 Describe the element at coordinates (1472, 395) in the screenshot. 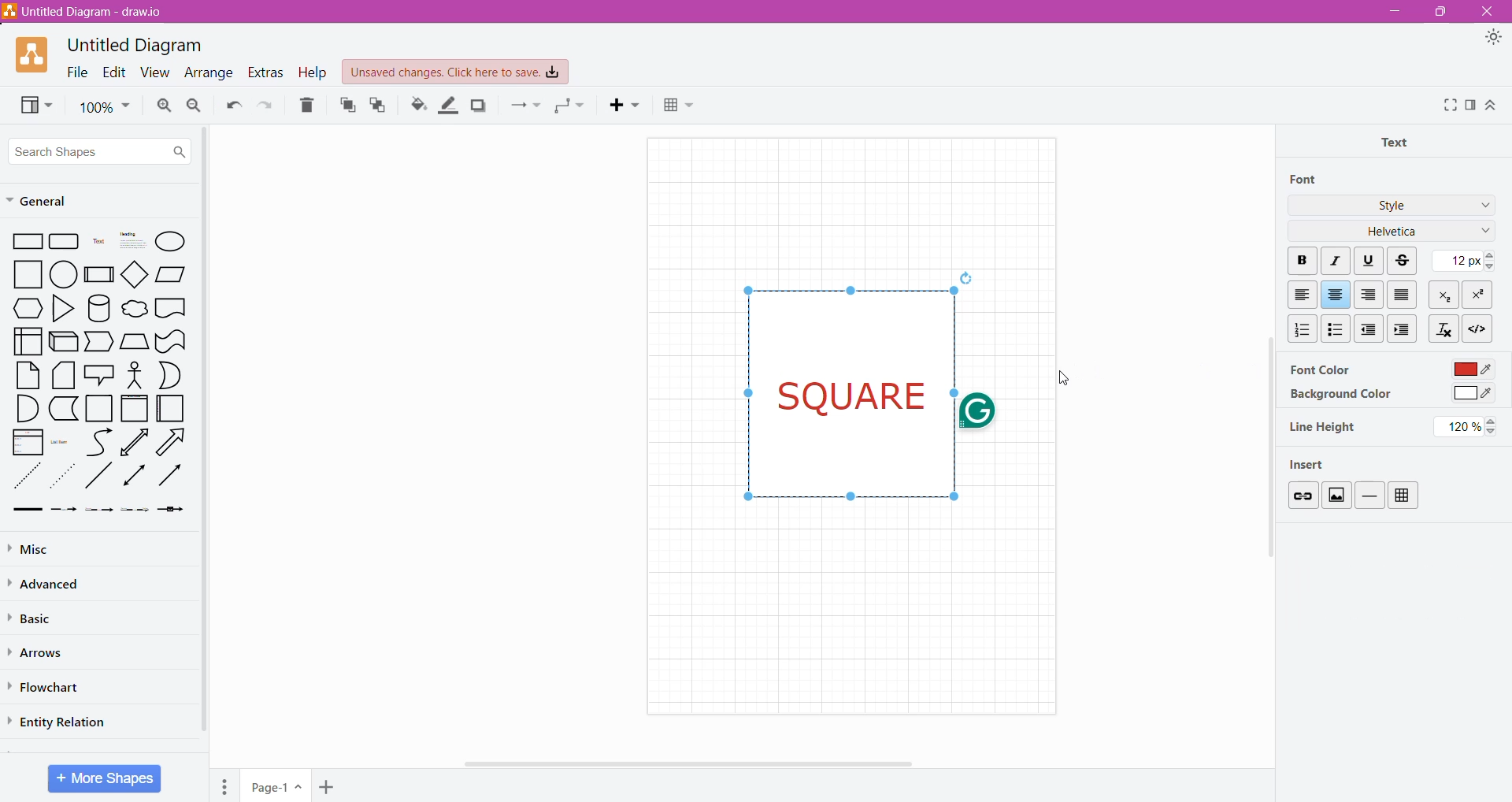

I see `Click to select Background color` at that location.